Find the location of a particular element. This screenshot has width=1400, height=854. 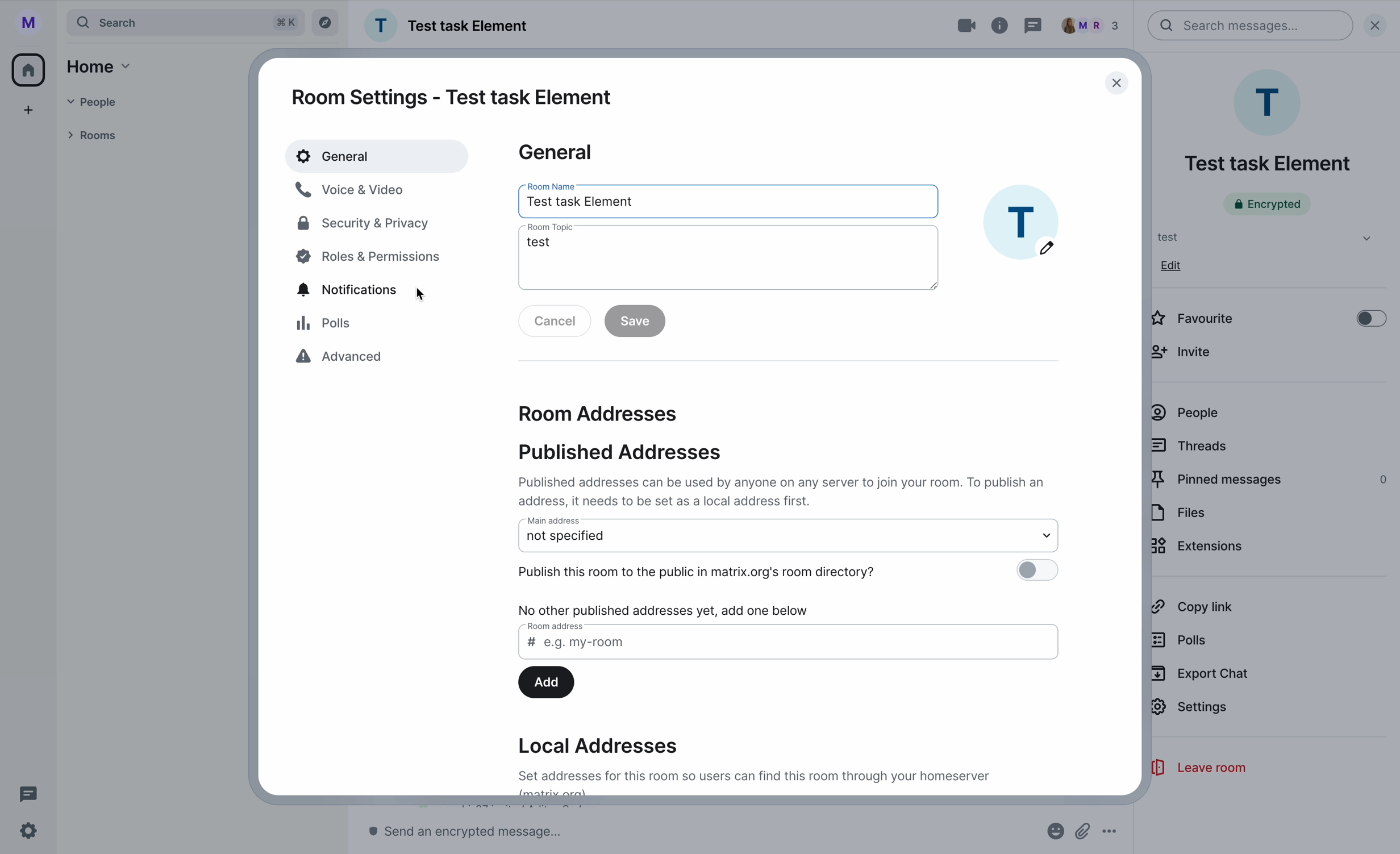

add is located at coordinates (29, 110).